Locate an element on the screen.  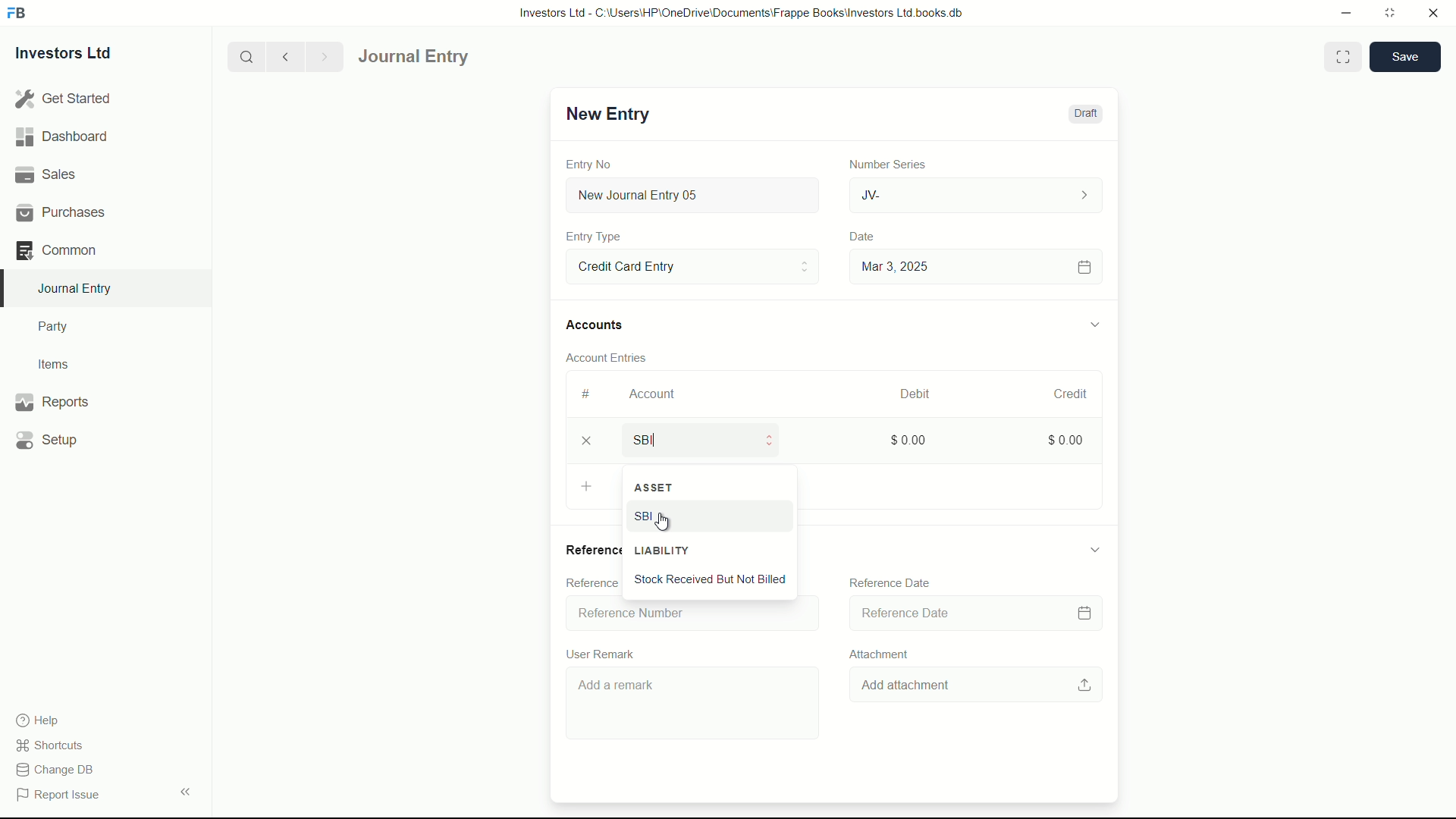
save is located at coordinates (1406, 57).